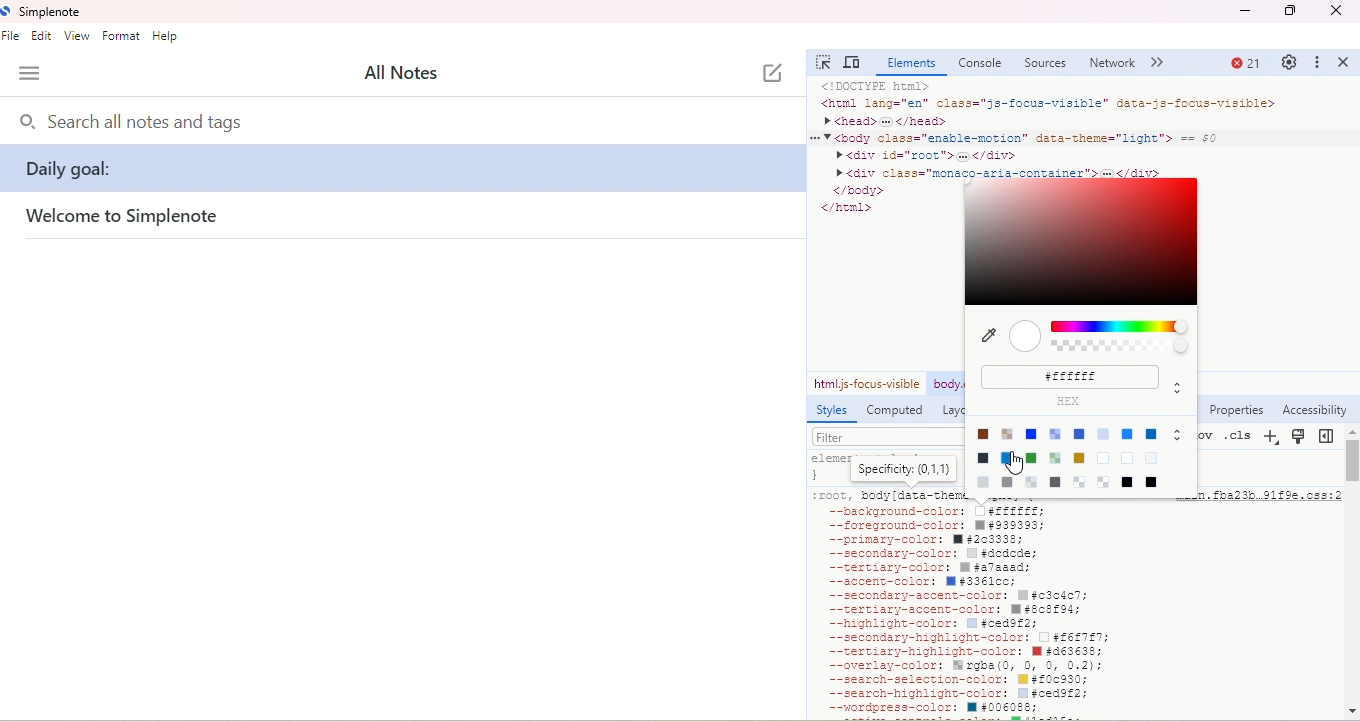  I want to click on hex, so click(1079, 402).